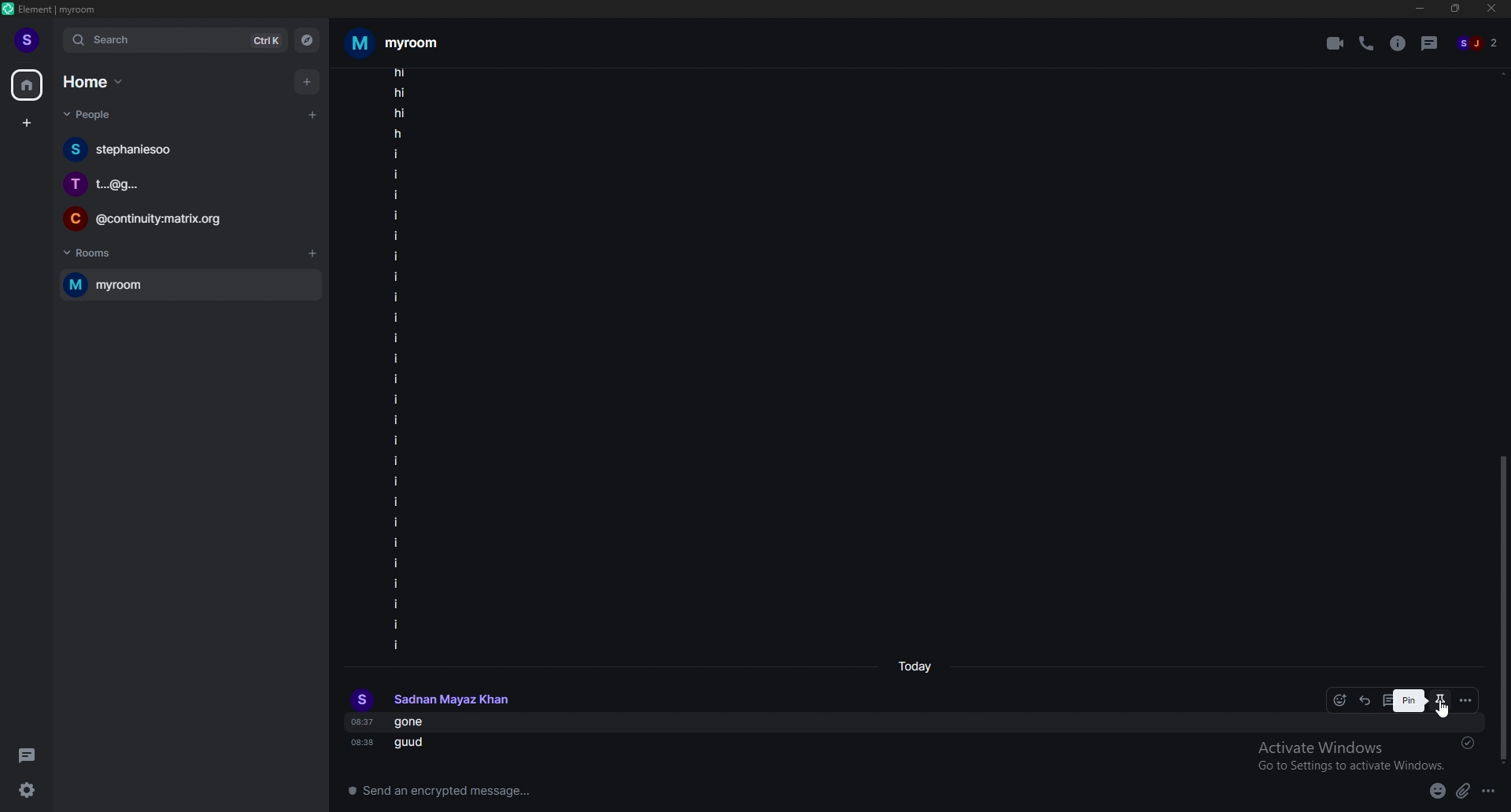 This screenshot has width=1511, height=812. Describe the element at coordinates (186, 219) in the screenshot. I see `chat` at that location.